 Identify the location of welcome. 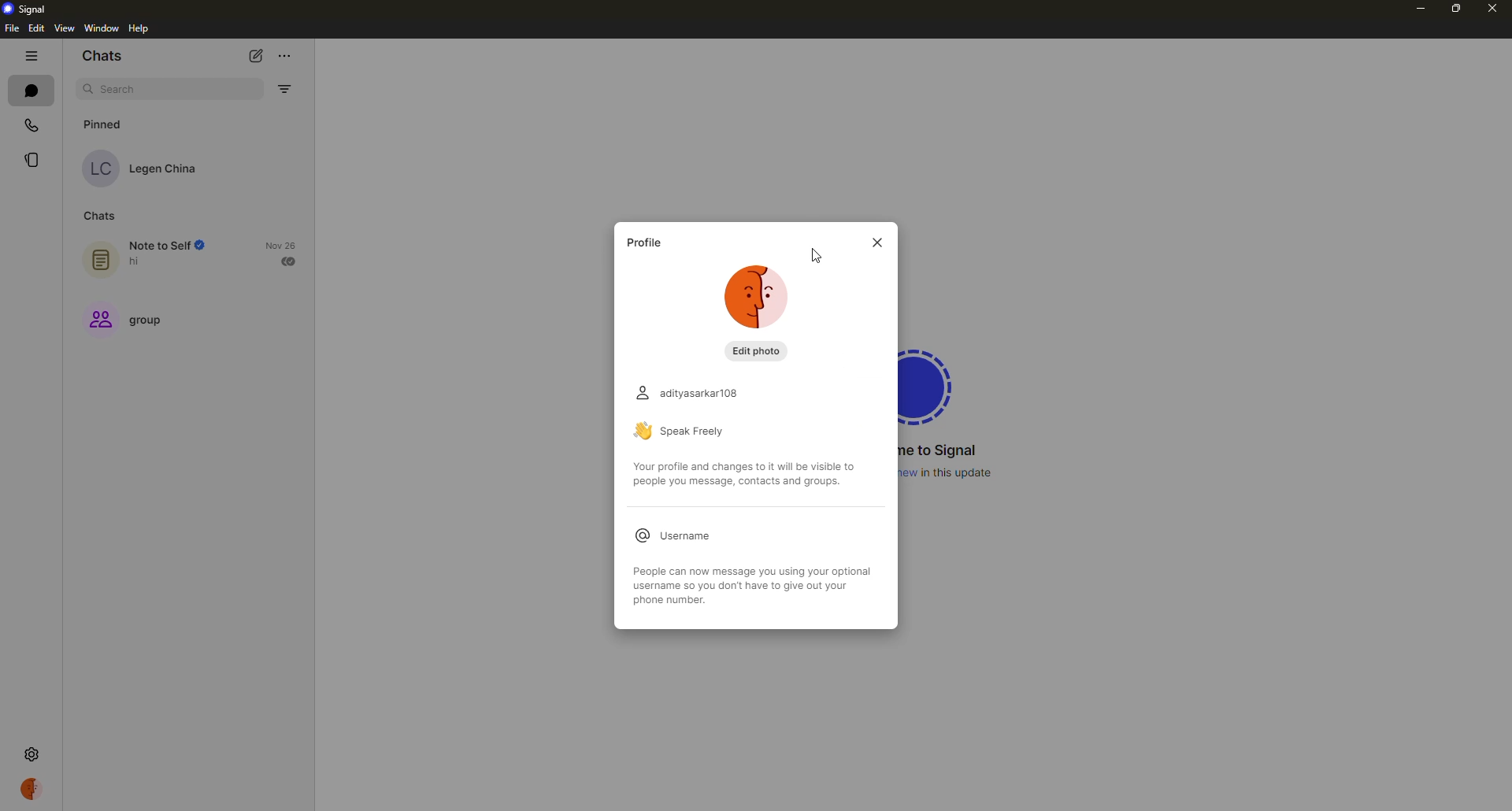
(942, 450).